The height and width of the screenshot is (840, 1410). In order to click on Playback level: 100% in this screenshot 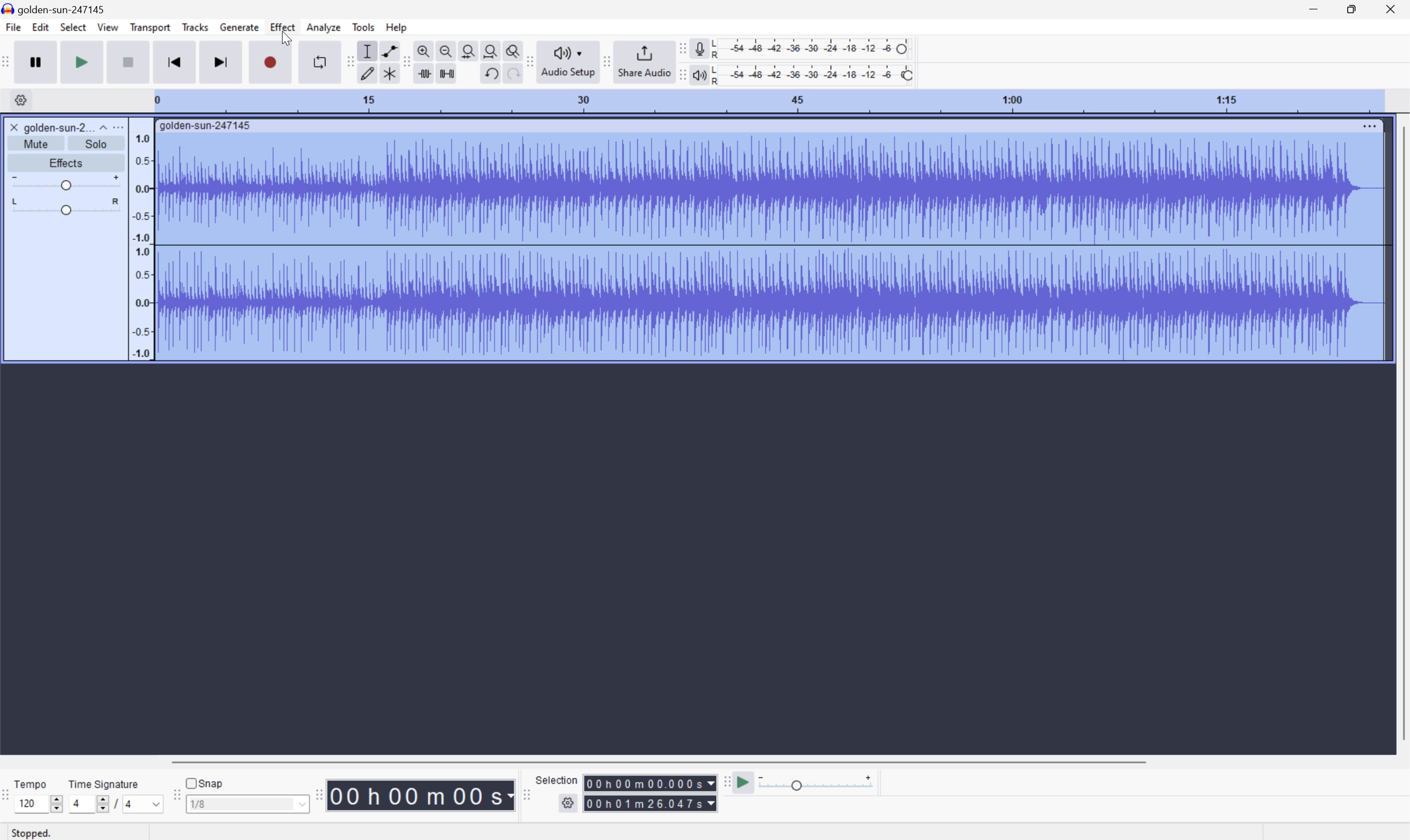, I will do `click(814, 74)`.